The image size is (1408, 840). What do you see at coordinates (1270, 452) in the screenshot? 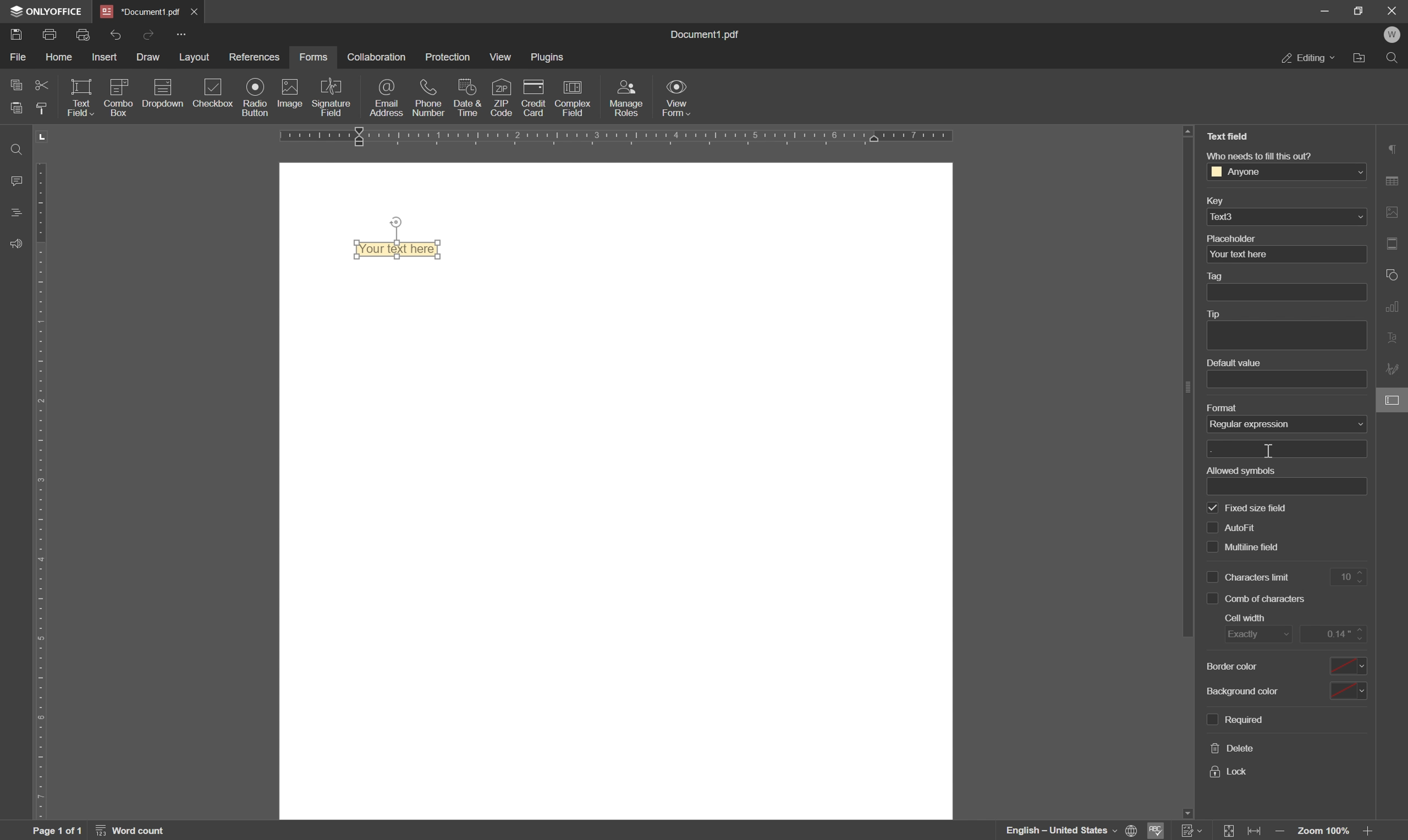
I see `cursor` at bounding box center [1270, 452].